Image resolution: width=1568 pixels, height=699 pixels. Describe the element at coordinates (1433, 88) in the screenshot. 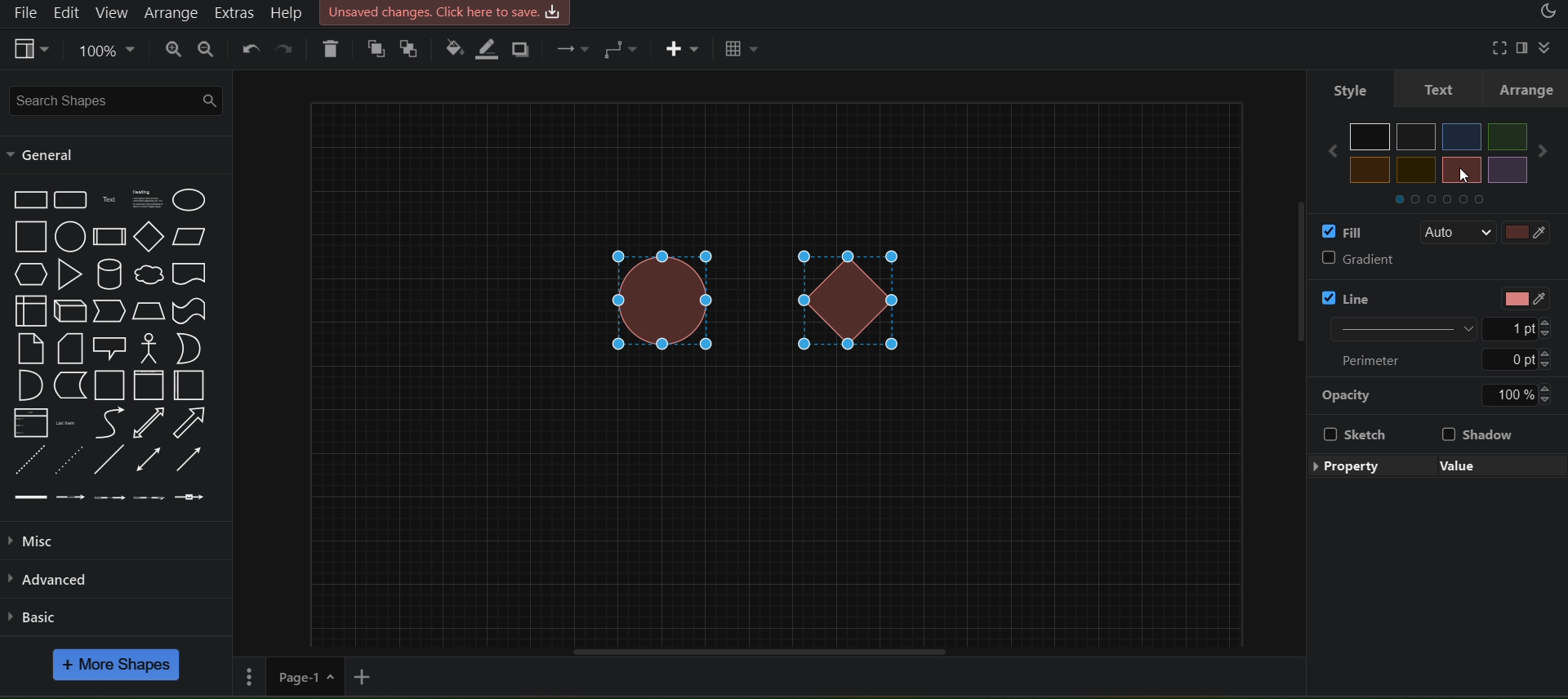

I see `text` at that location.